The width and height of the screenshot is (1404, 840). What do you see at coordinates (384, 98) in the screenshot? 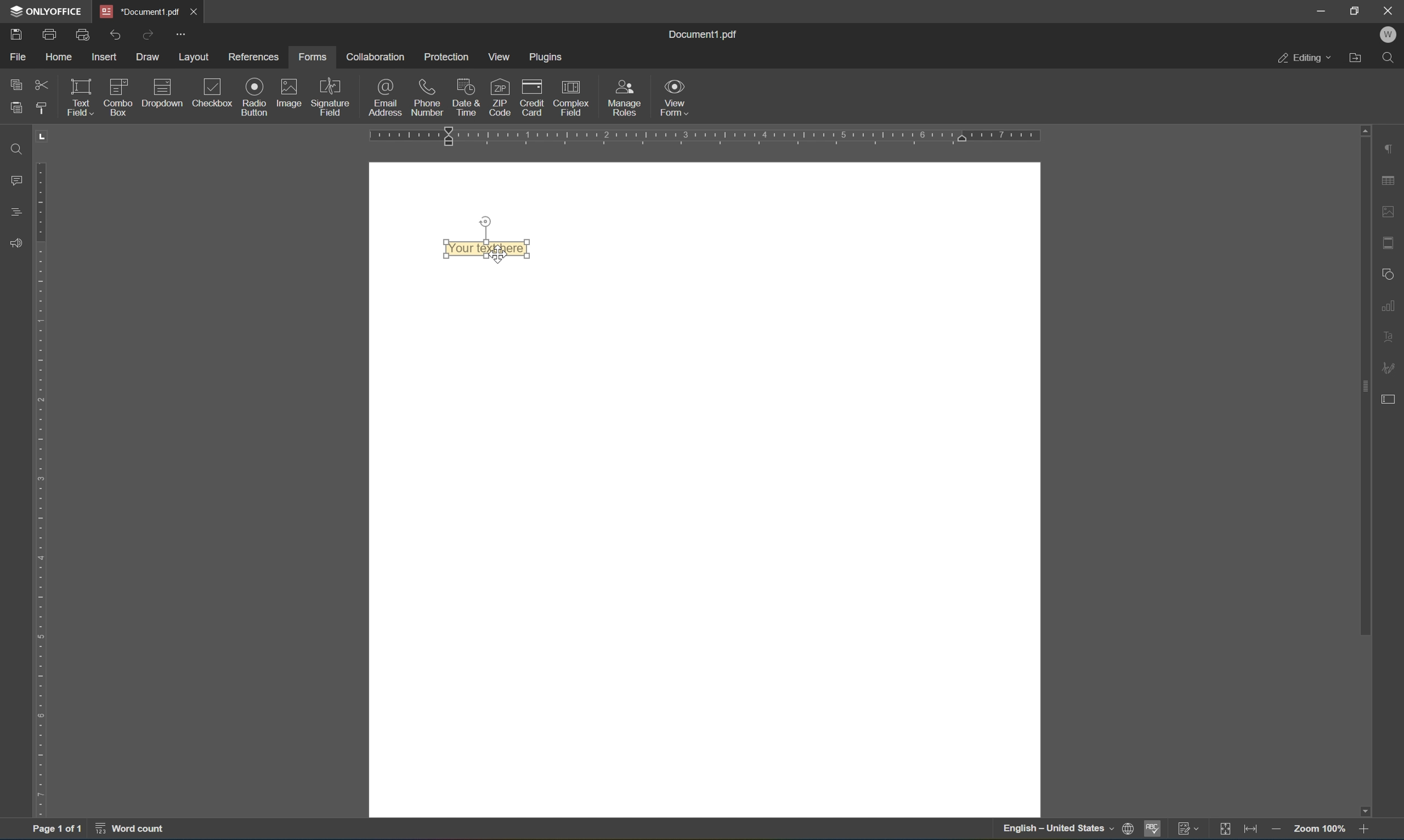
I see `email address` at bounding box center [384, 98].